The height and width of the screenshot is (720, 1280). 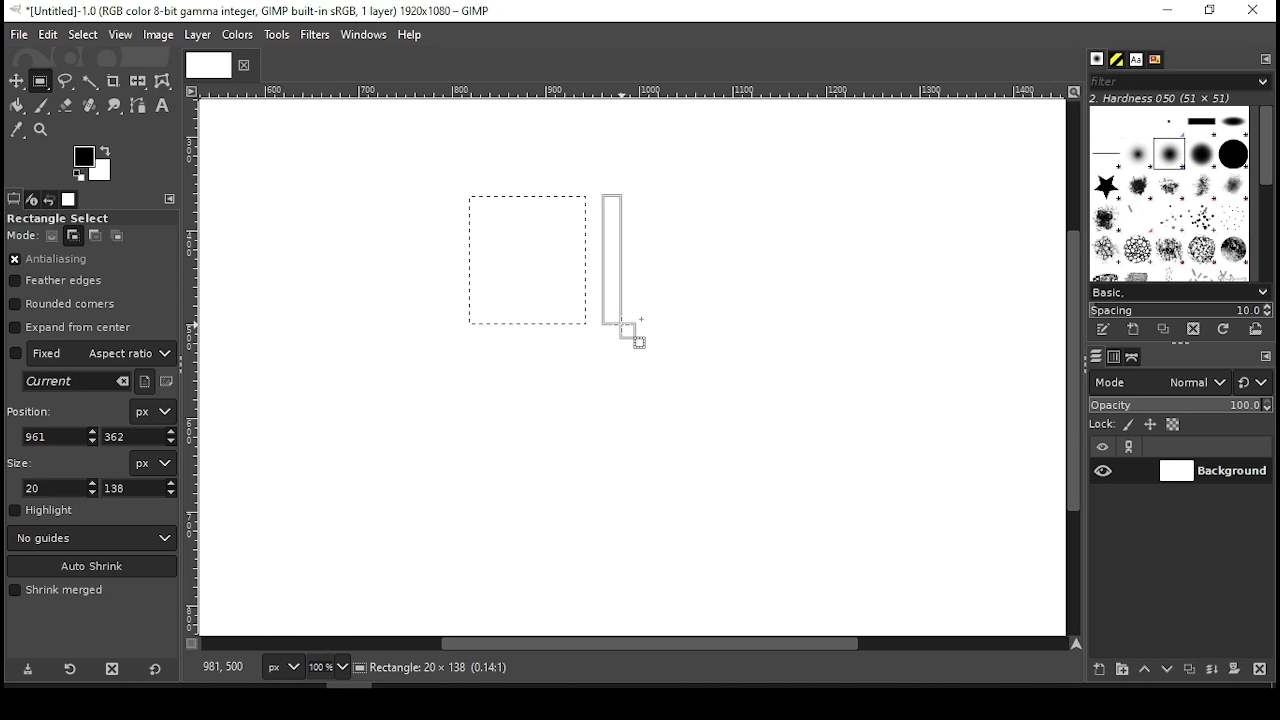 What do you see at coordinates (92, 107) in the screenshot?
I see `heal tool` at bounding box center [92, 107].